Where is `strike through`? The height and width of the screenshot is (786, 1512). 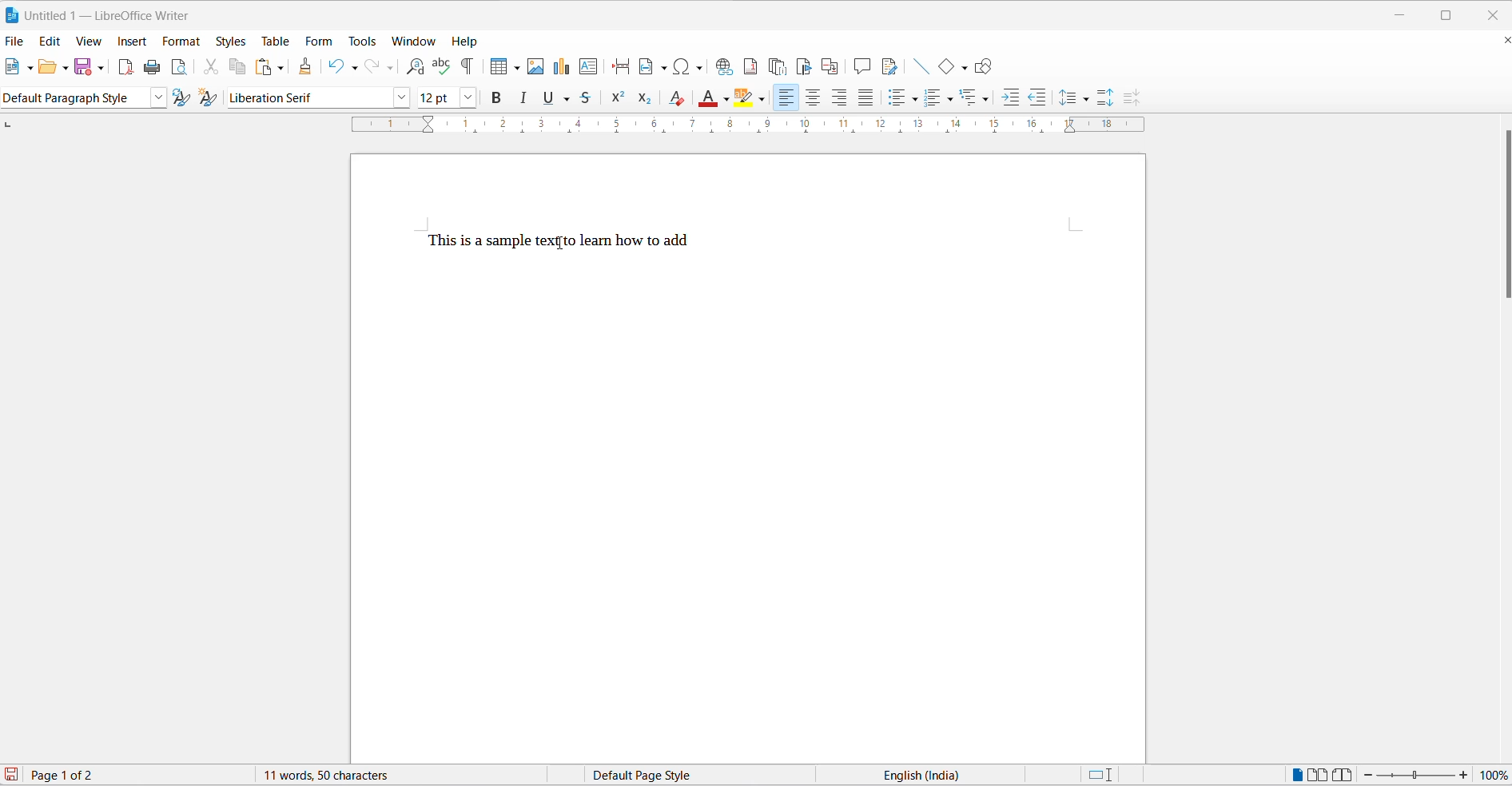 strike through is located at coordinates (591, 100).